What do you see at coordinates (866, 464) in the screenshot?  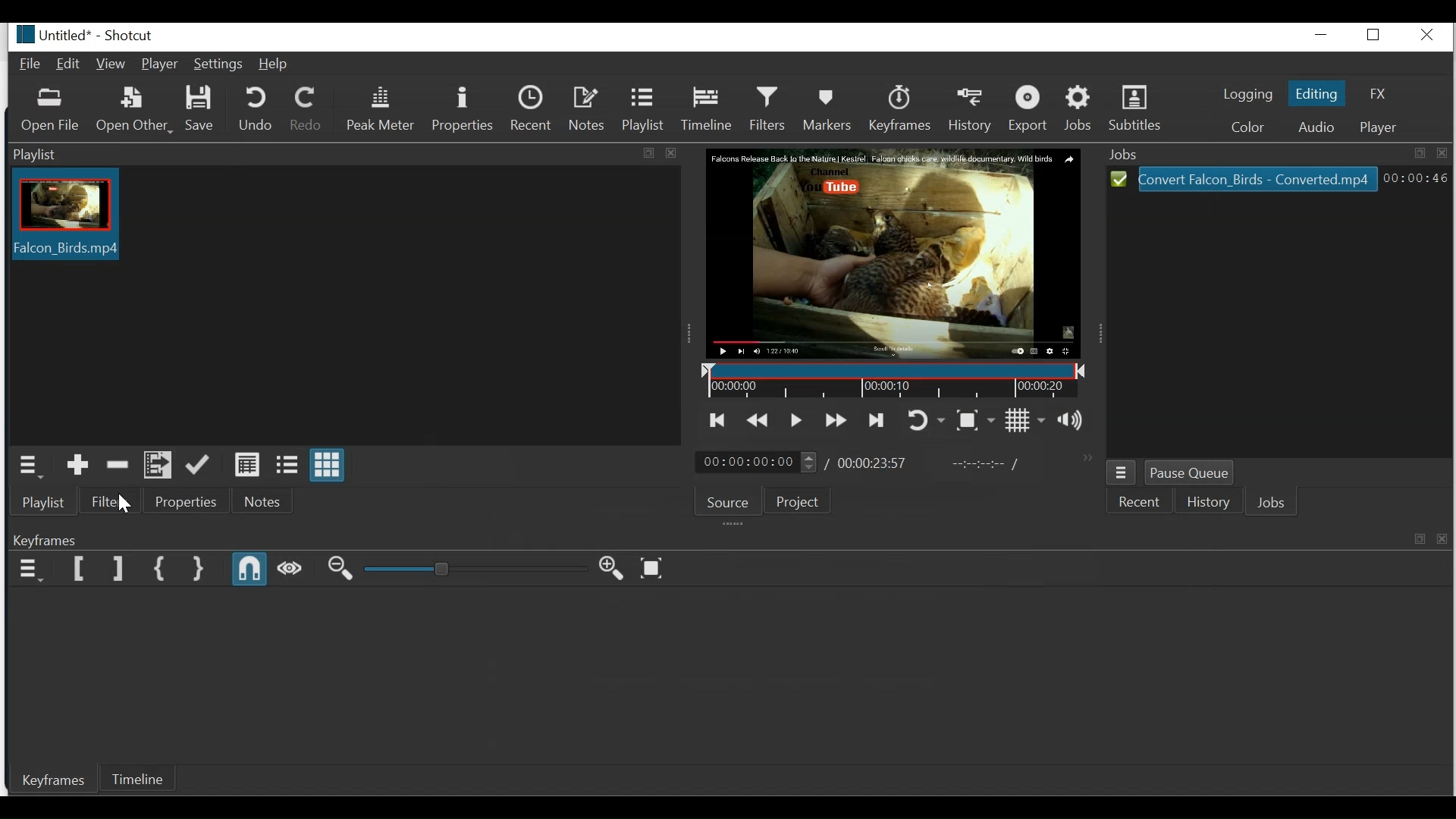 I see `/00:00:23:57(Total Duration)` at bounding box center [866, 464].